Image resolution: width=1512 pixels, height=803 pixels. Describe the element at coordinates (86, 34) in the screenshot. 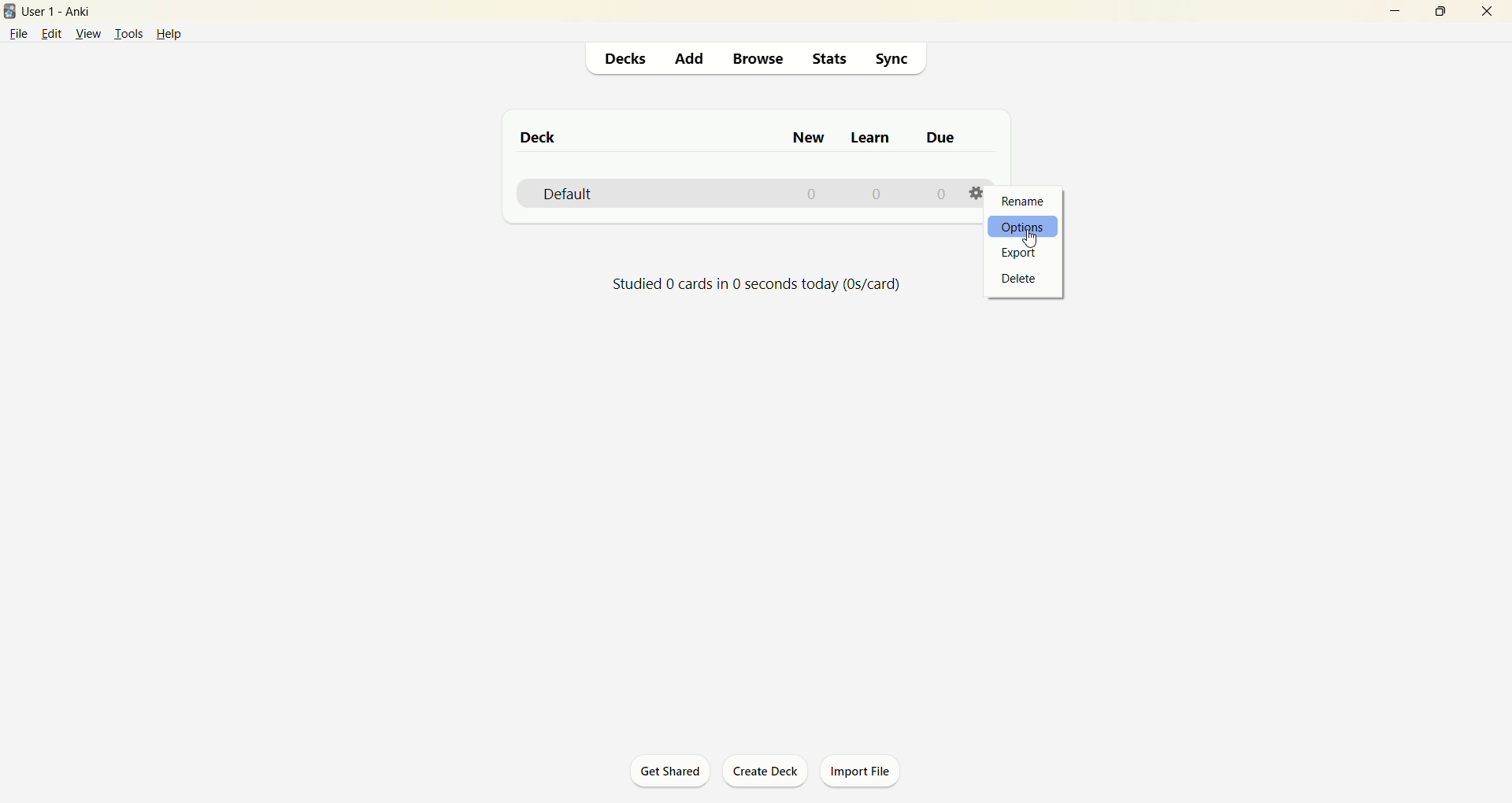

I see `view` at that location.